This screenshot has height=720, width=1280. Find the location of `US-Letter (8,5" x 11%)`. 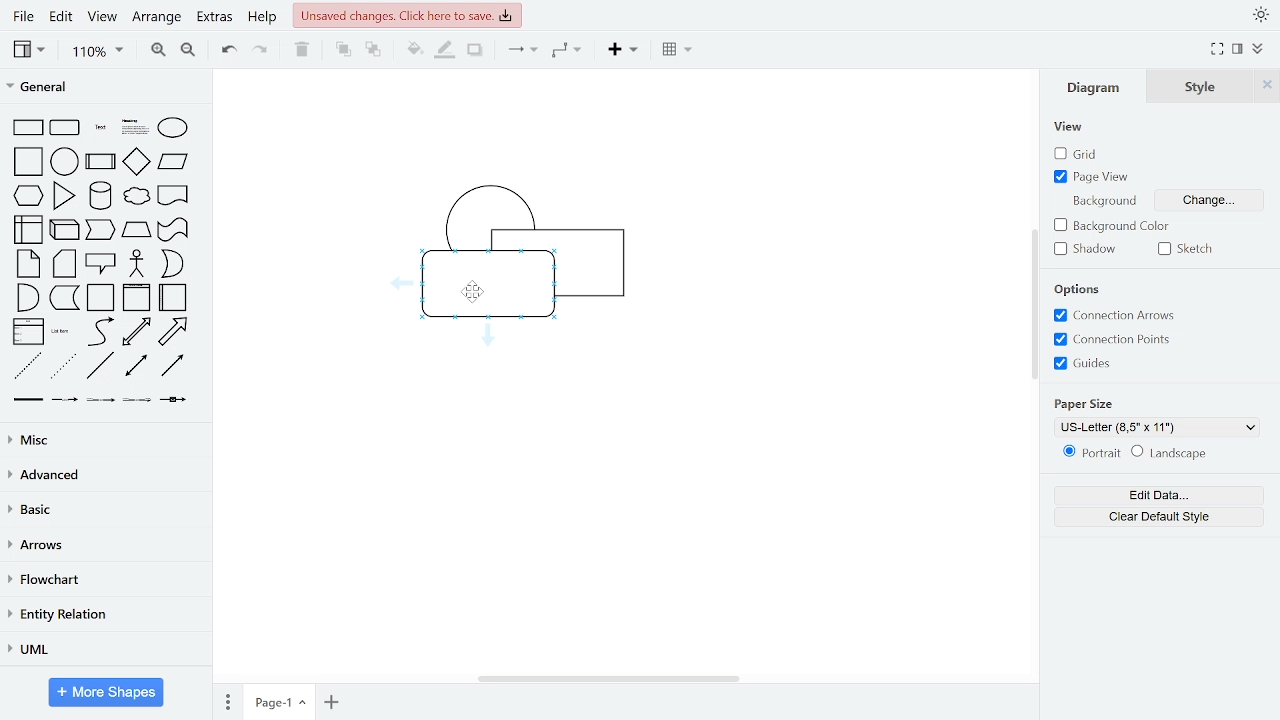

US-Letter (8,5" x 11%) is located at coordinates (1159, 426).